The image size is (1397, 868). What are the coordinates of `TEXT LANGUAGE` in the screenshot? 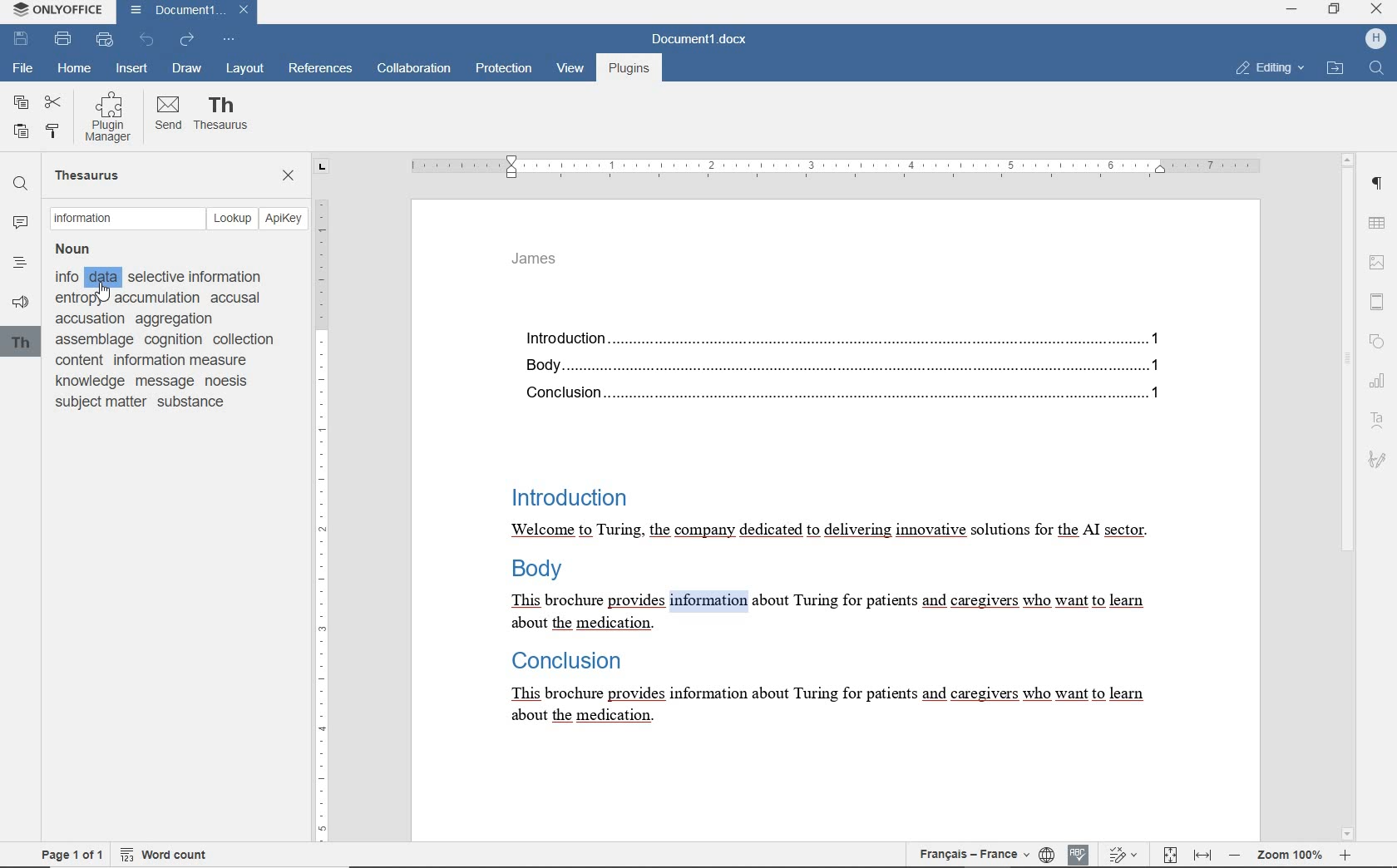 It's located at (975, 854).